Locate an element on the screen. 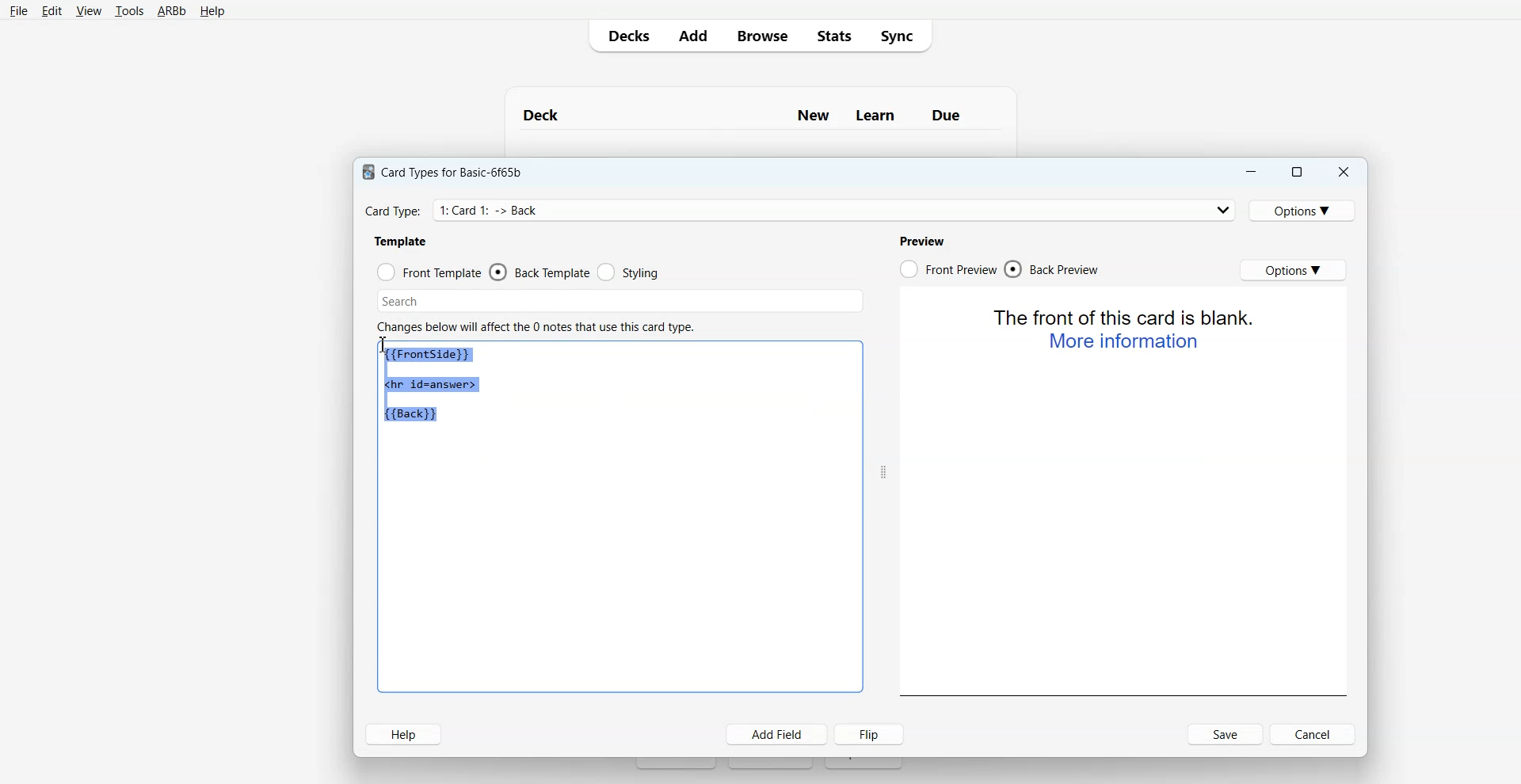 This screenshot has width=1521, height=784. Options is located at coordinates (1294, 270).